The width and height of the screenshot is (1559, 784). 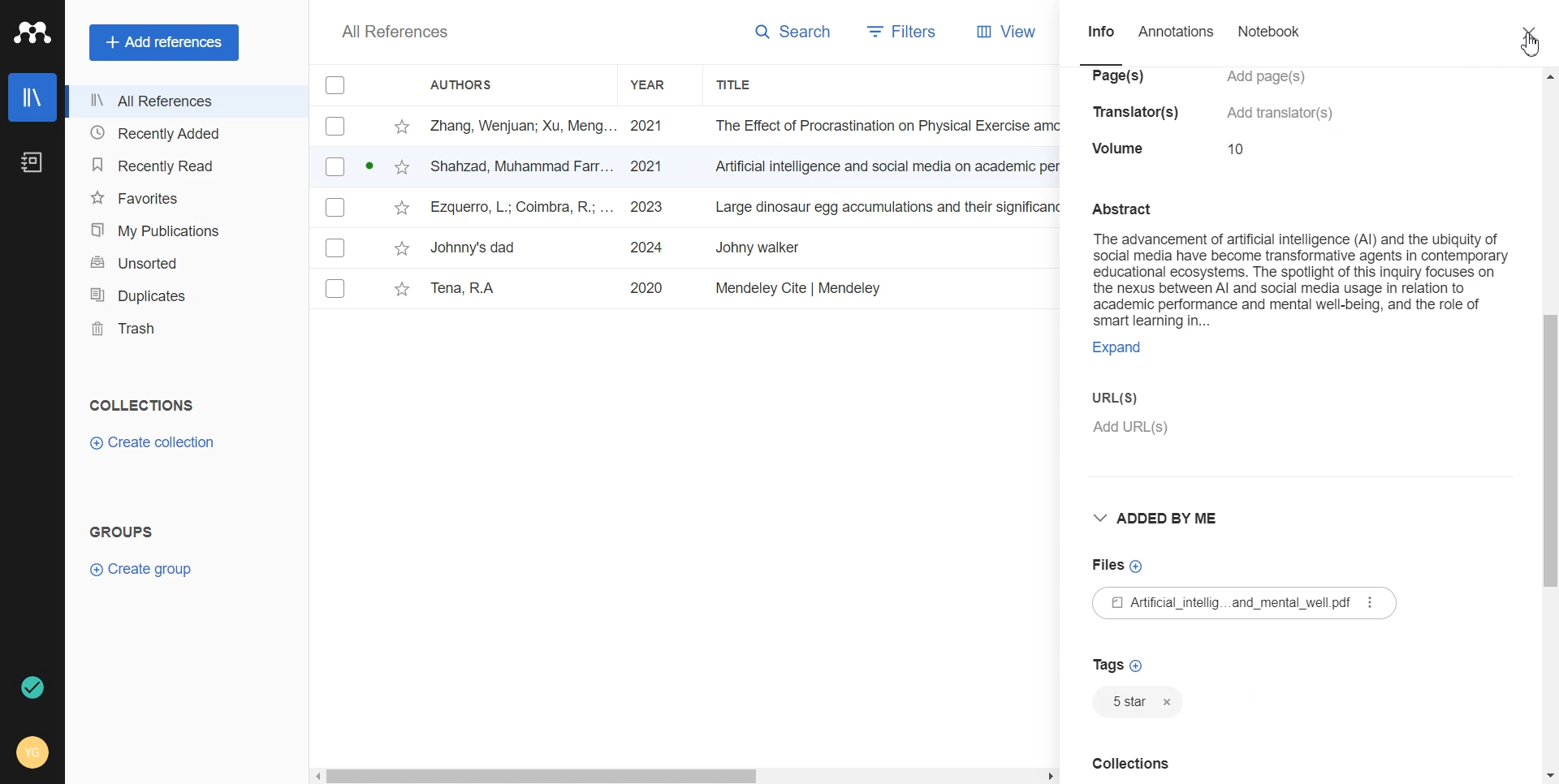 I want to click on Abstract

The advancement of artificial intelligence (Al) and the ubiquity of
social media have become transformative agents in contemporary
educational ecosystems. The spotlight of this inquiry focuses on
the nexus between Al and social media usage in relation to
academic performance and mental well-being, and the role of
smart learning in...

Expand, so click(x=1299, y=278).